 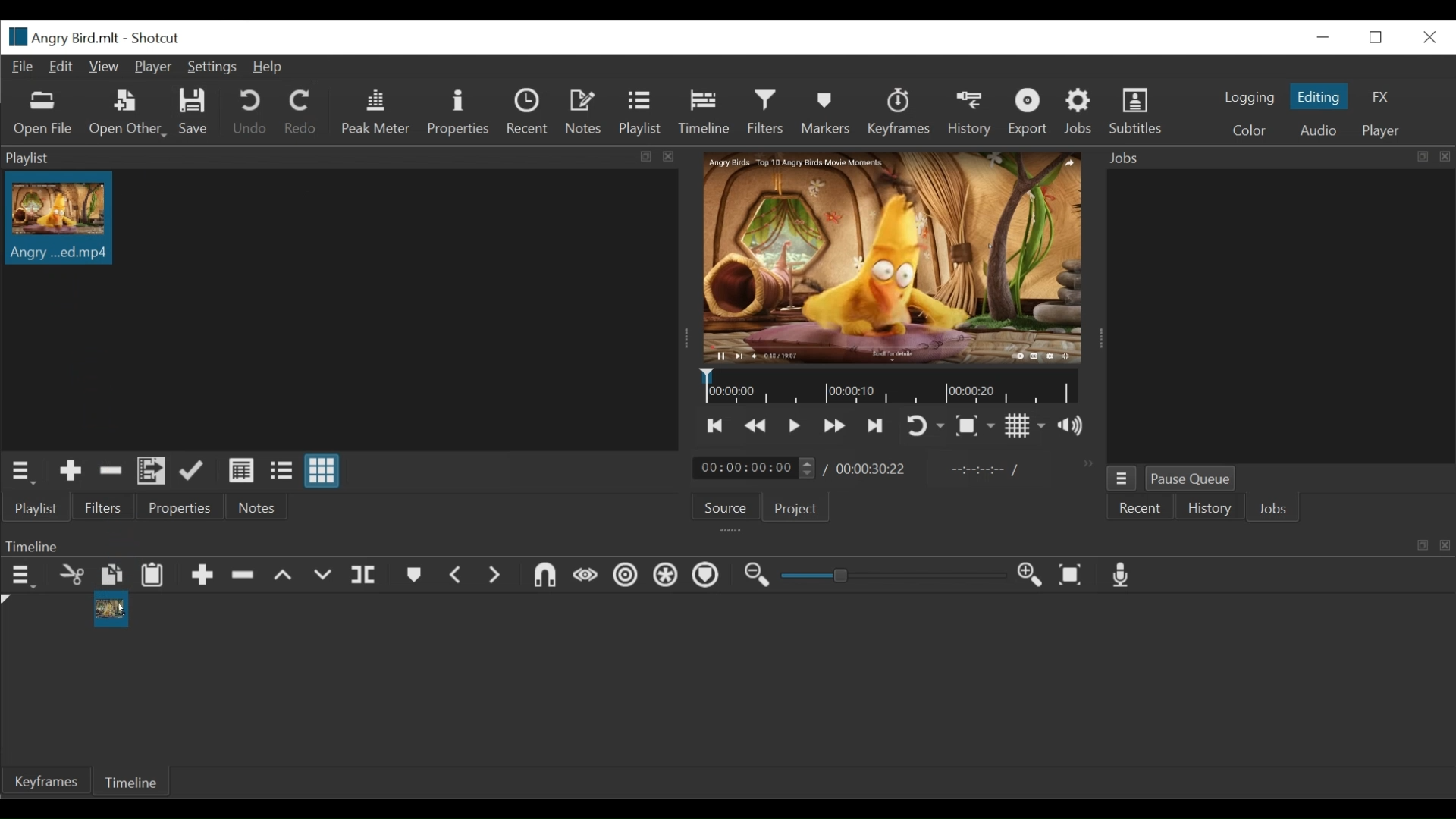 What do you see at coordinates (128, 781) in the screenshot?
I see `Timeline` at bounding box center [128, 781].